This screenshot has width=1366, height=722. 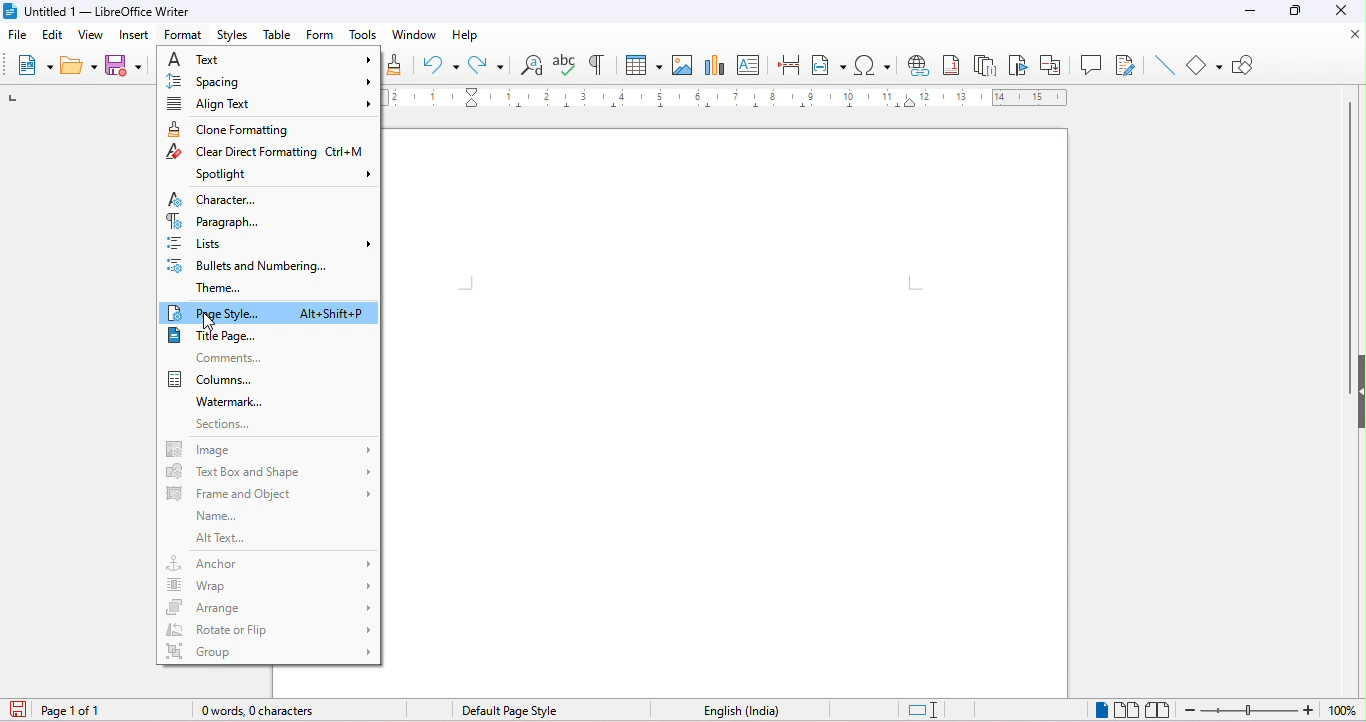 I want to click on spotlight, so click(x=278, y=177).